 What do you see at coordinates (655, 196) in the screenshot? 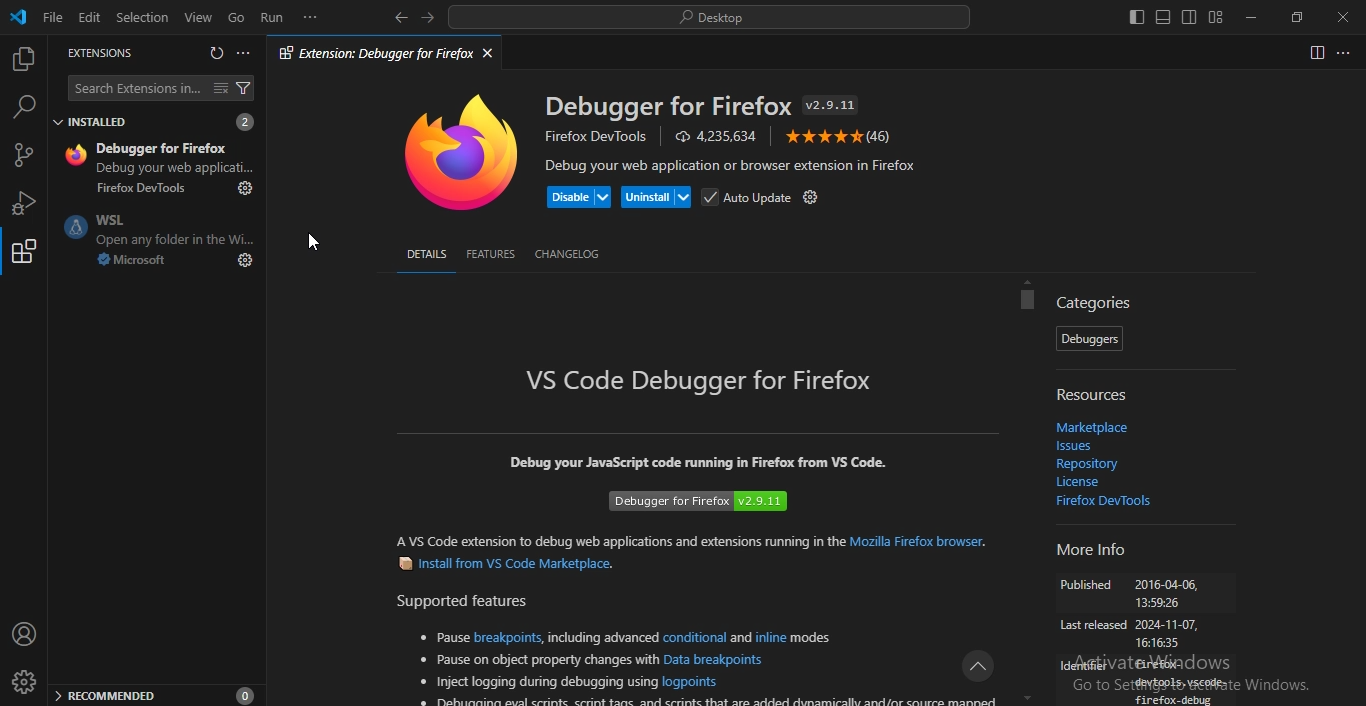
I see `uninstall` at bounding box center [655, 196].